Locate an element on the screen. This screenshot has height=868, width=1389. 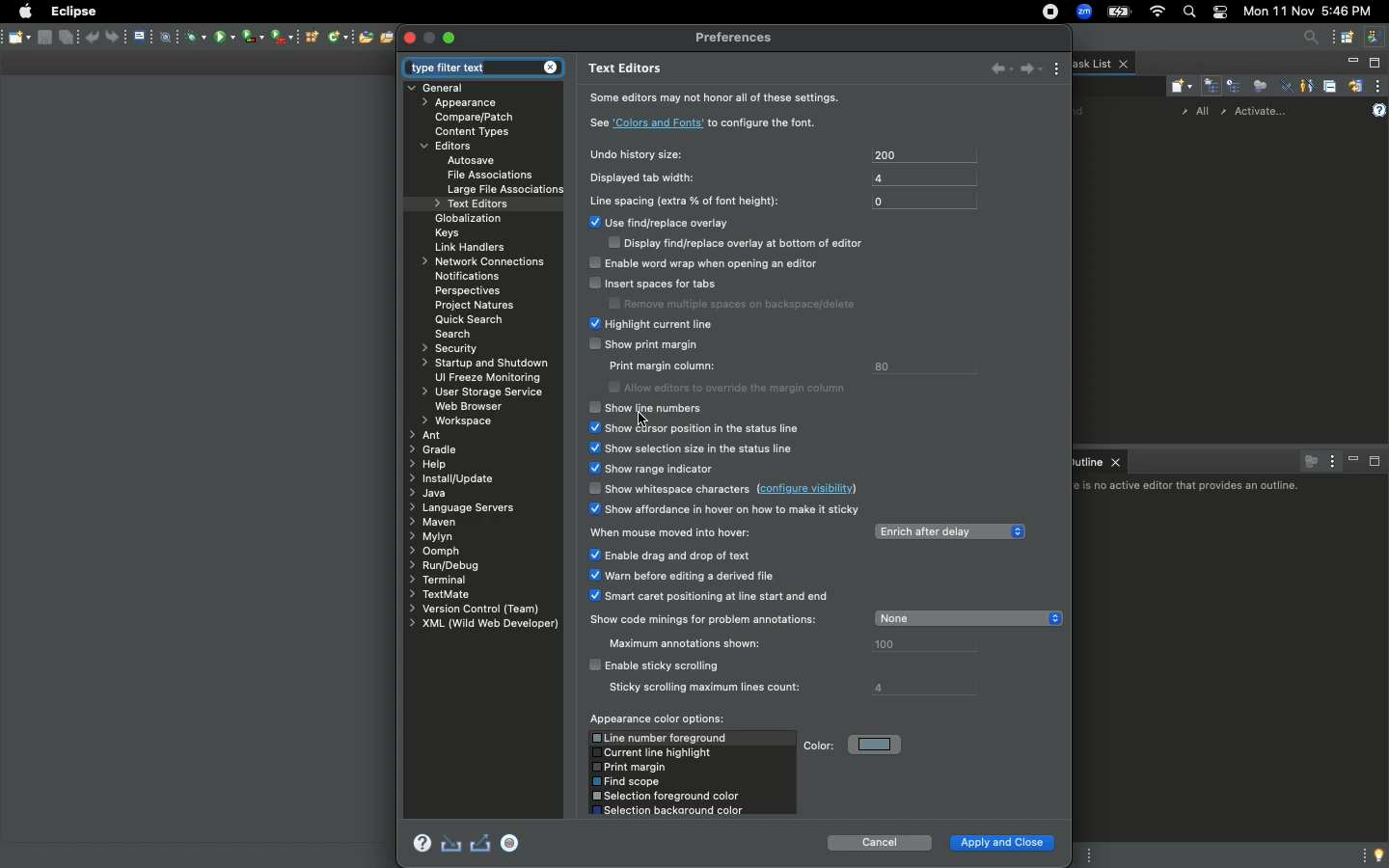
Apple and close is located at coordinates (1003, 843).